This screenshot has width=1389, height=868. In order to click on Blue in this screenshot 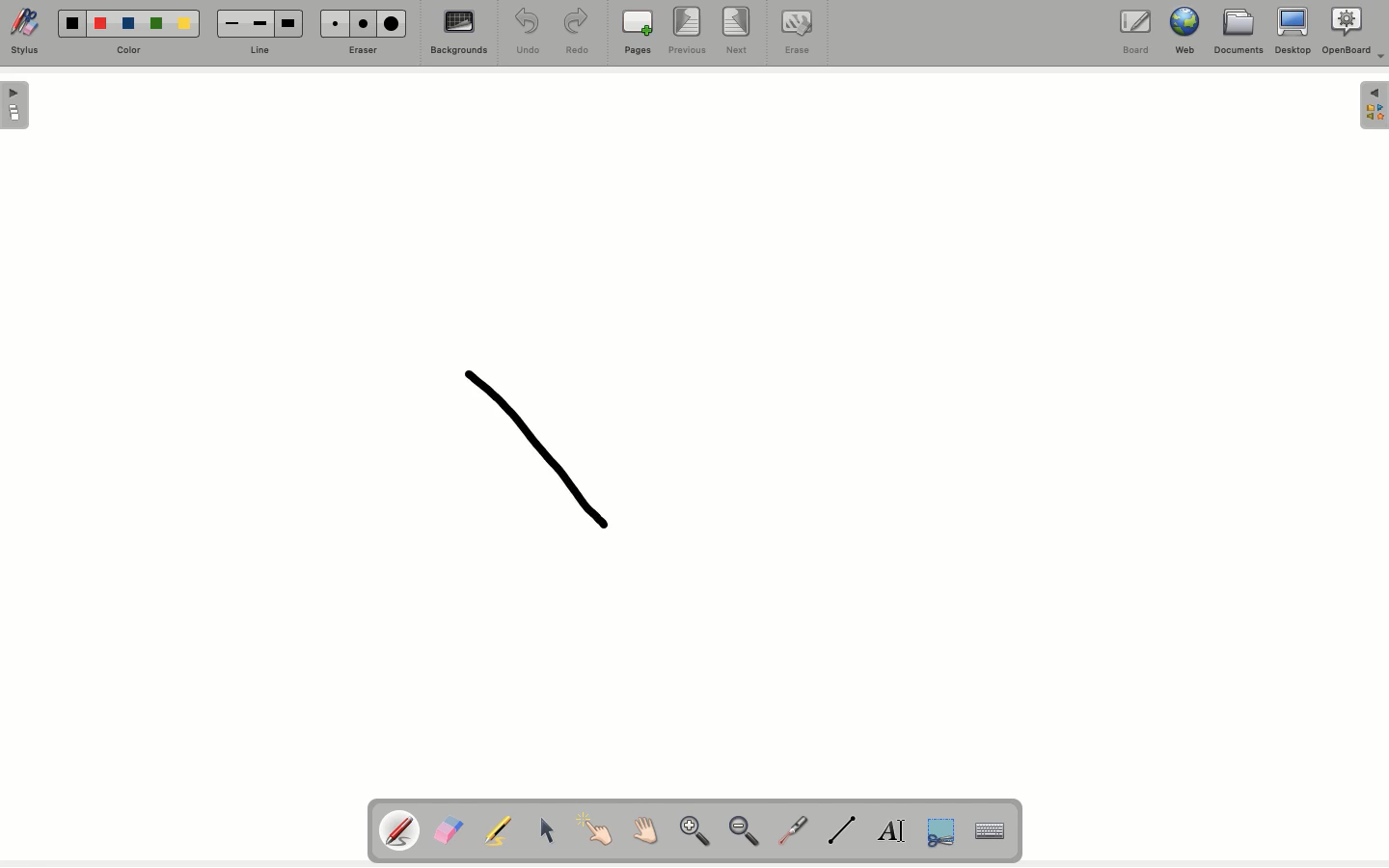, I will do `click(128, 20)`.